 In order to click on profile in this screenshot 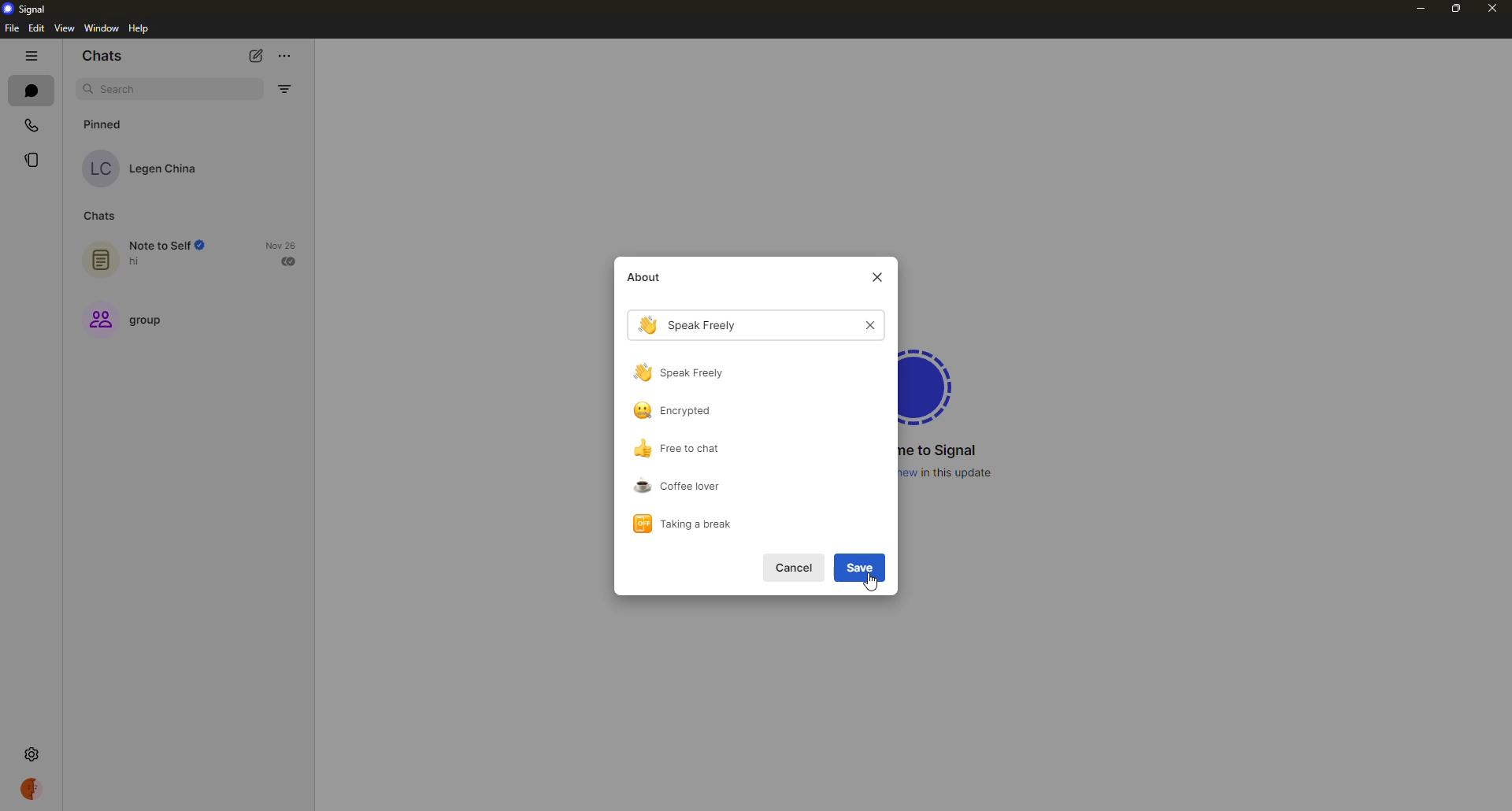, I will do `click(33, 788)`.